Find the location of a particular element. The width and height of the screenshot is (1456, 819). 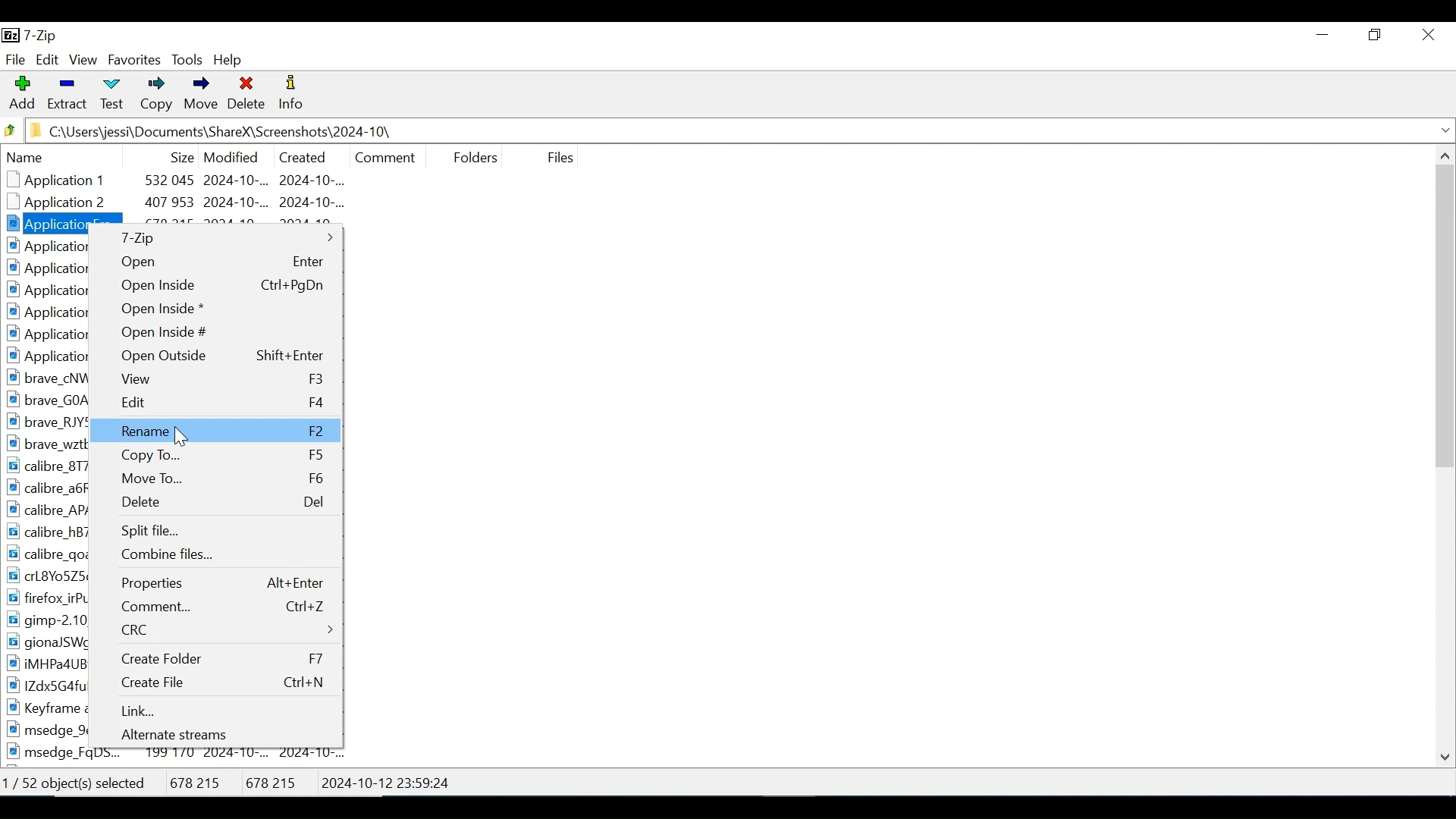

Move is located at coordinates (199, 96).